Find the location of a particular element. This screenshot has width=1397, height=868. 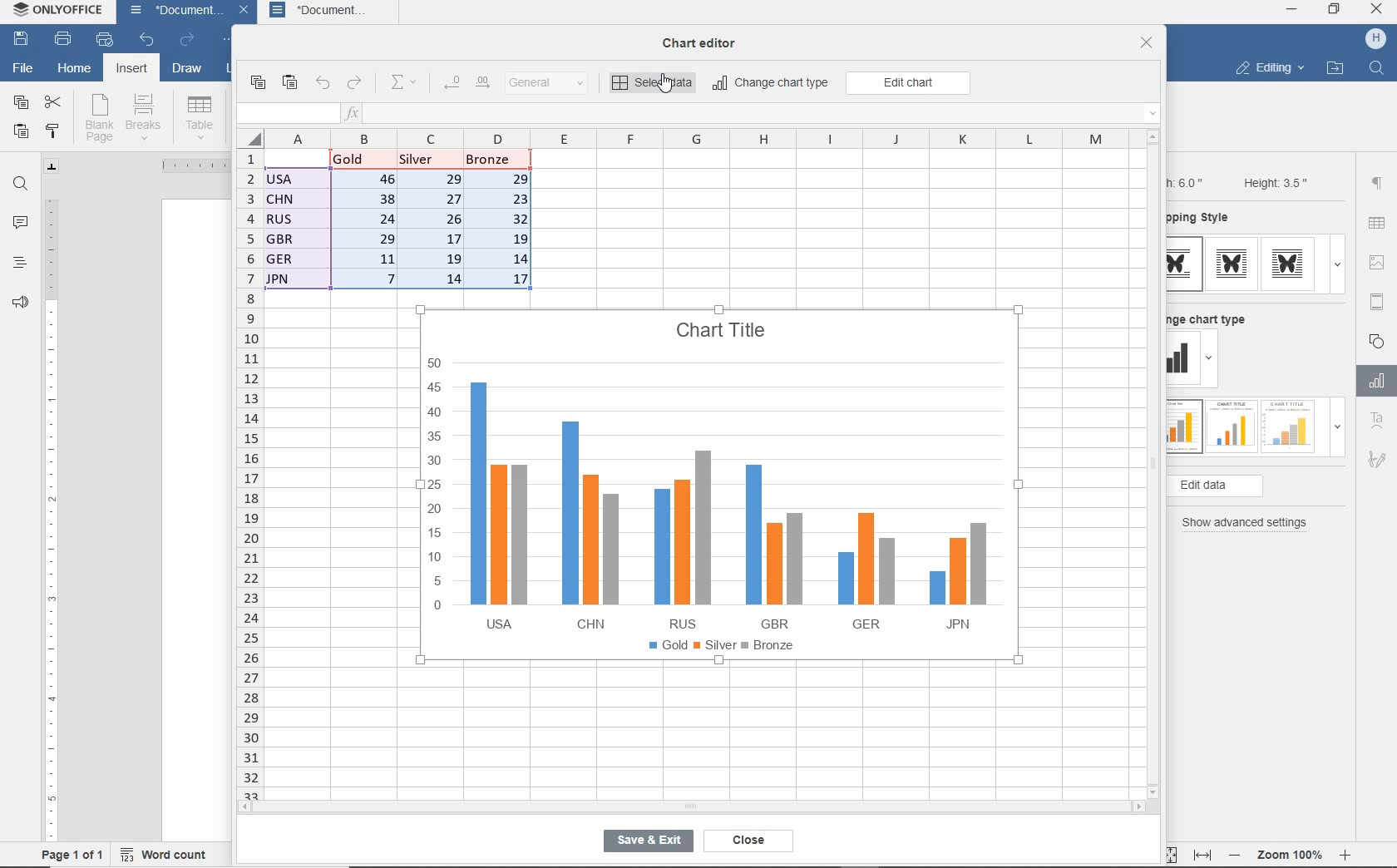

horizontal scroll bar is located at coordinates (690, 806).